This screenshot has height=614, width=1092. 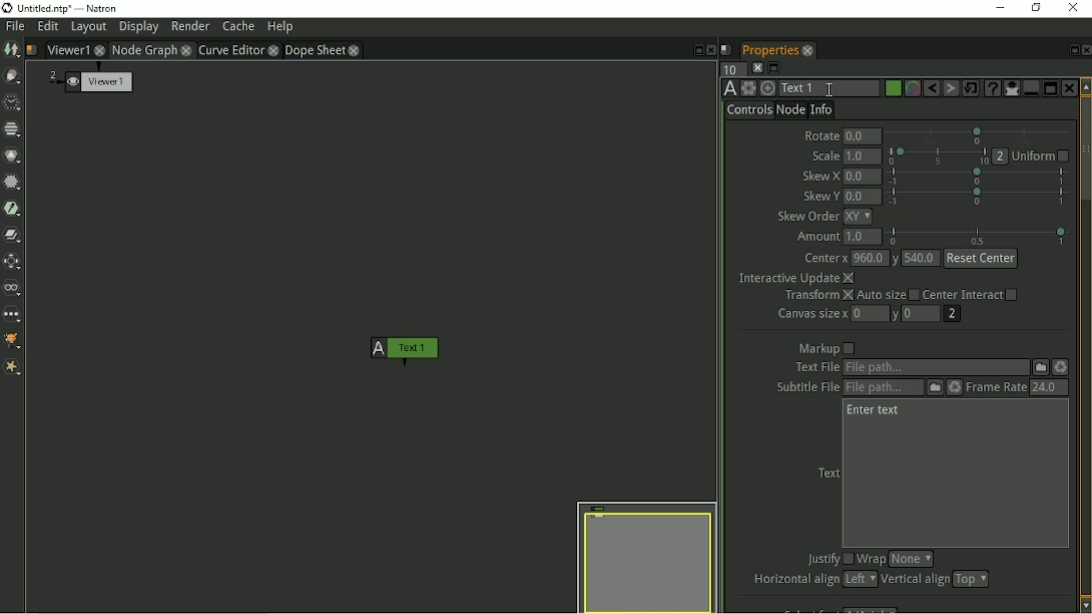 I want to click on Undo, so click(x=931, y=88).